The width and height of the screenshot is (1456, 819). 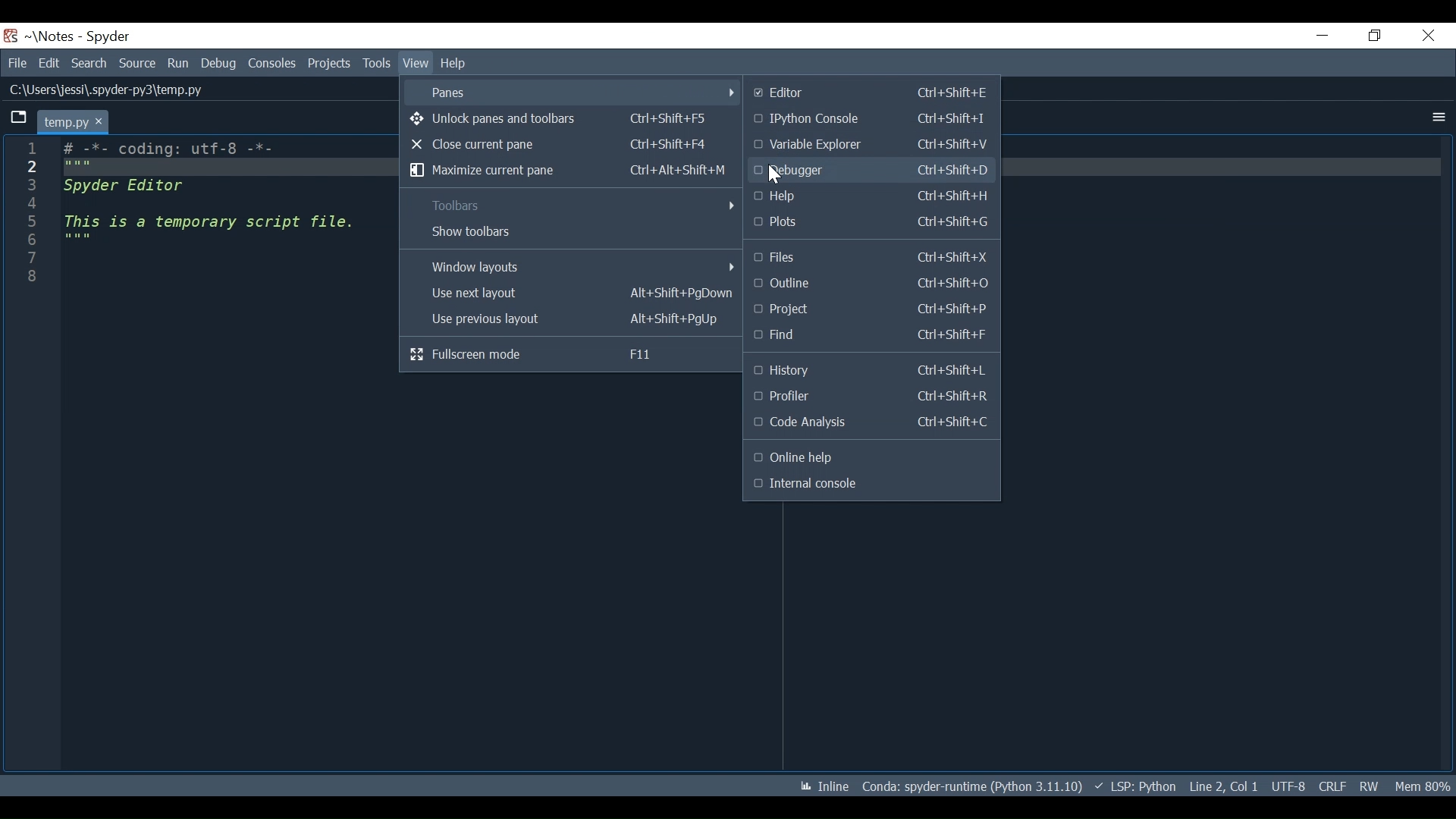 I want to click on Memory Usage, so click(x=1424, y=786).